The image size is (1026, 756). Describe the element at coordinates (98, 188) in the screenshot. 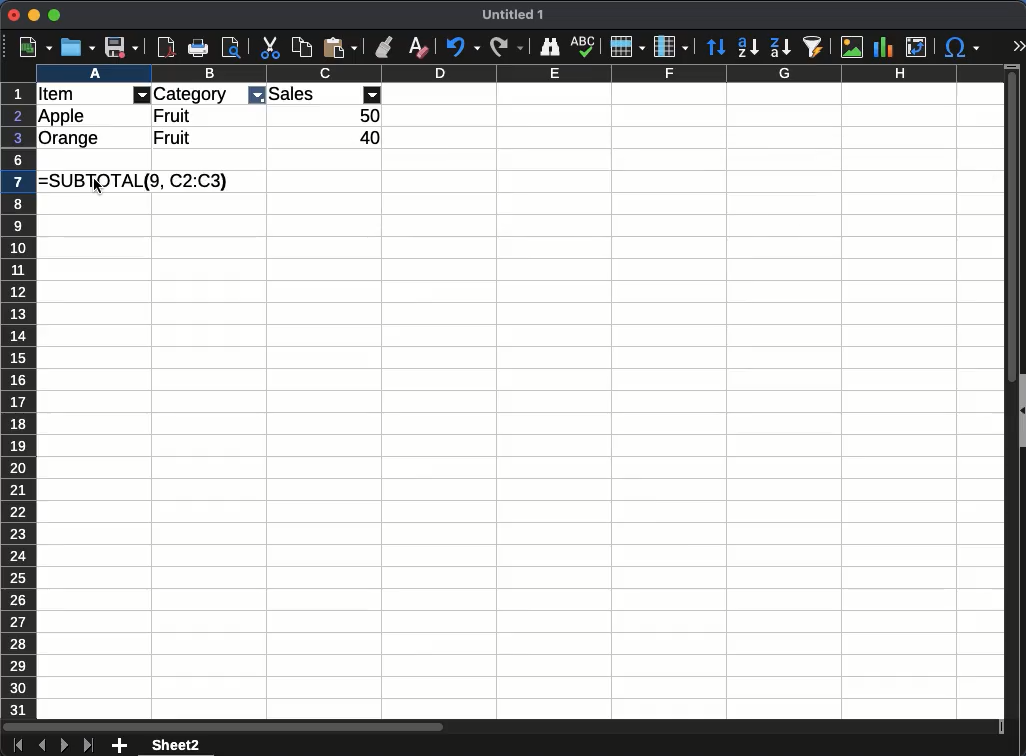

I see `Cursor` at that location.